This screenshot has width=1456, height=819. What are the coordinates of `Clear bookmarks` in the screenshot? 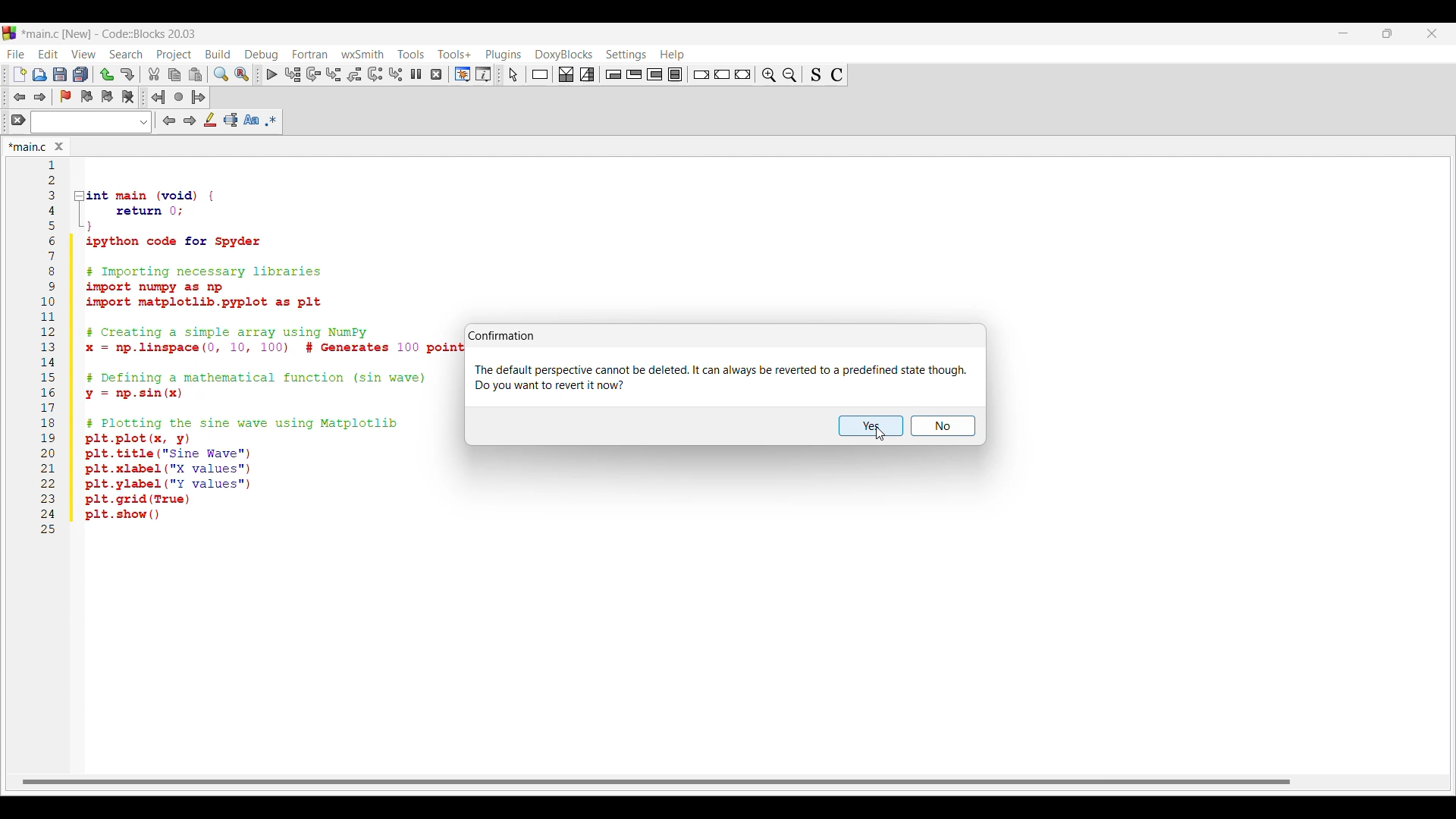 It's located at (128, 97).